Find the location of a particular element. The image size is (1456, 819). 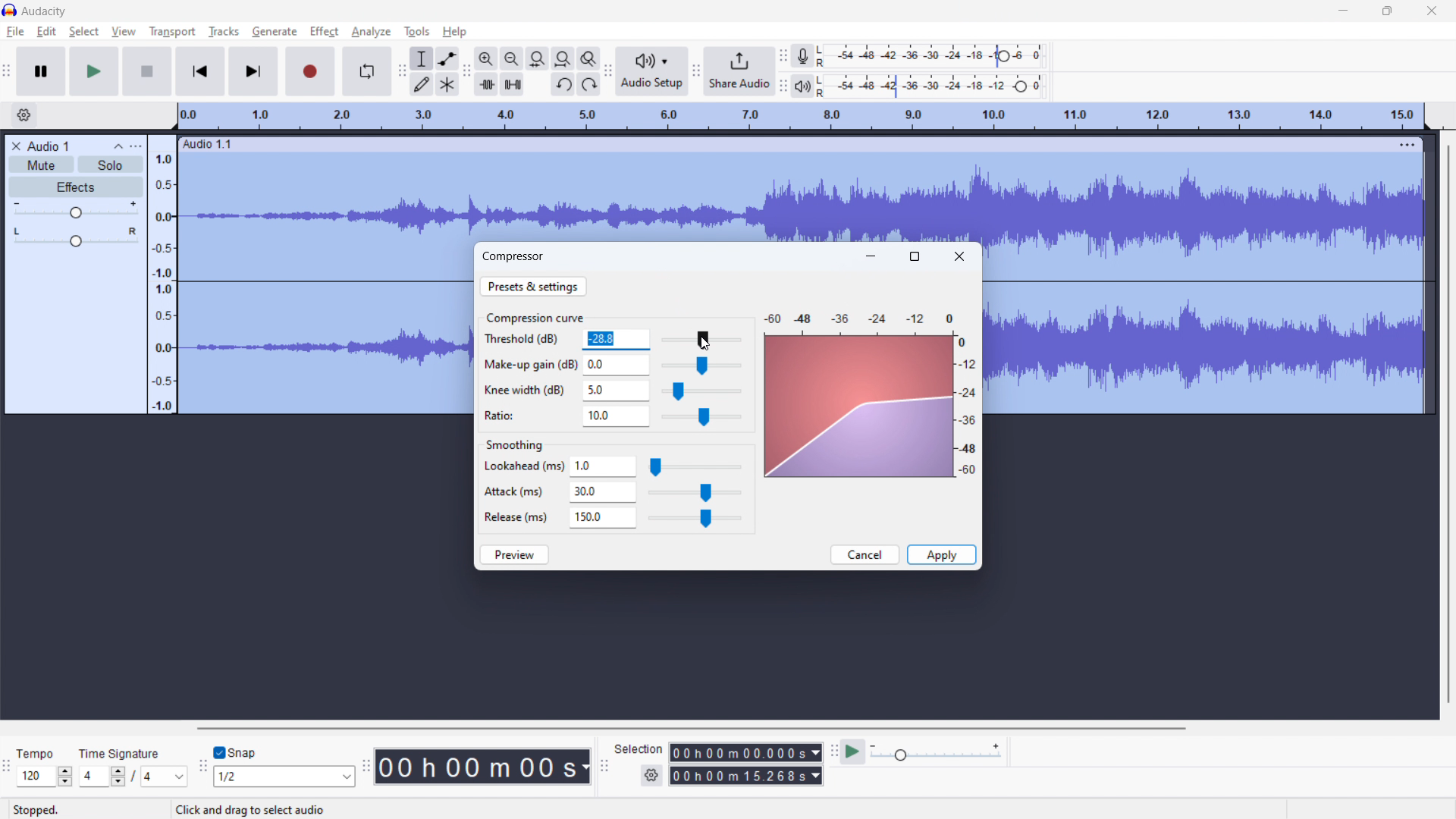

threshold slider is located at coordinates (701, 339).